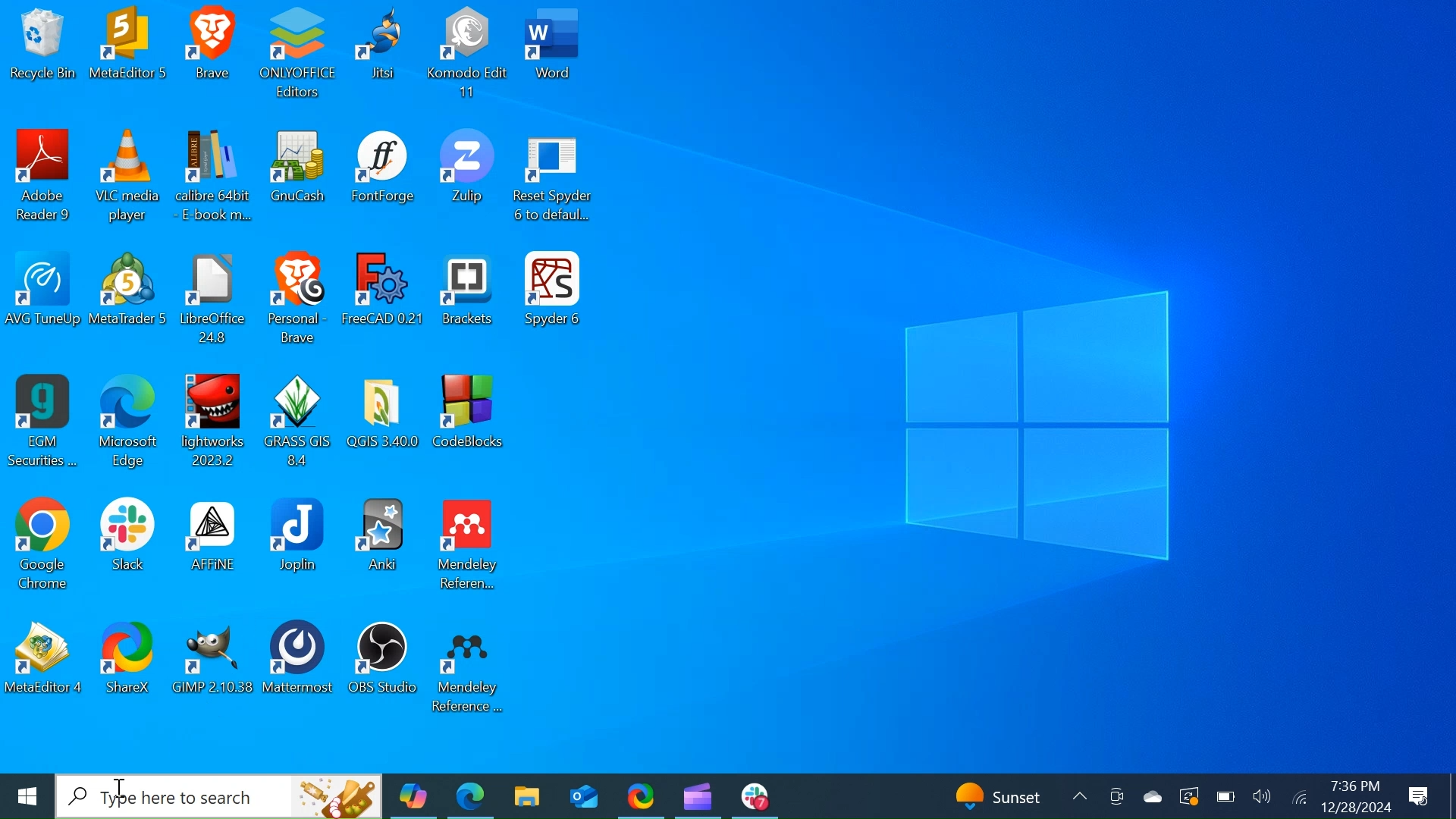 The height and width of the screenshot is (819, 1456). Describe the element at coordinates (127, 668) in the screenshot. I see `ShareX` at that location.